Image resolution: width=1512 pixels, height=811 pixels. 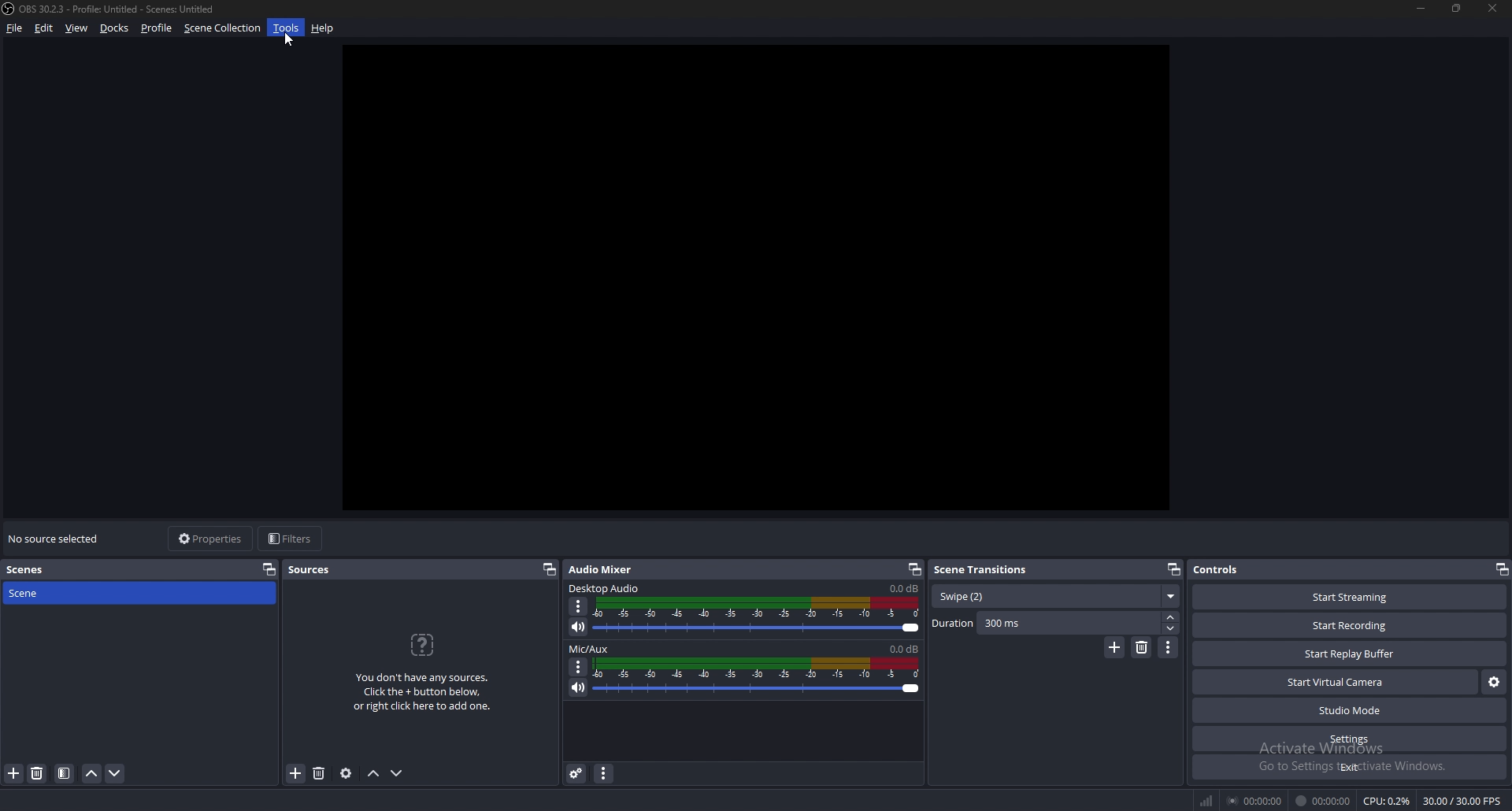 I want to click on fps, so click(x=1464, y=801).